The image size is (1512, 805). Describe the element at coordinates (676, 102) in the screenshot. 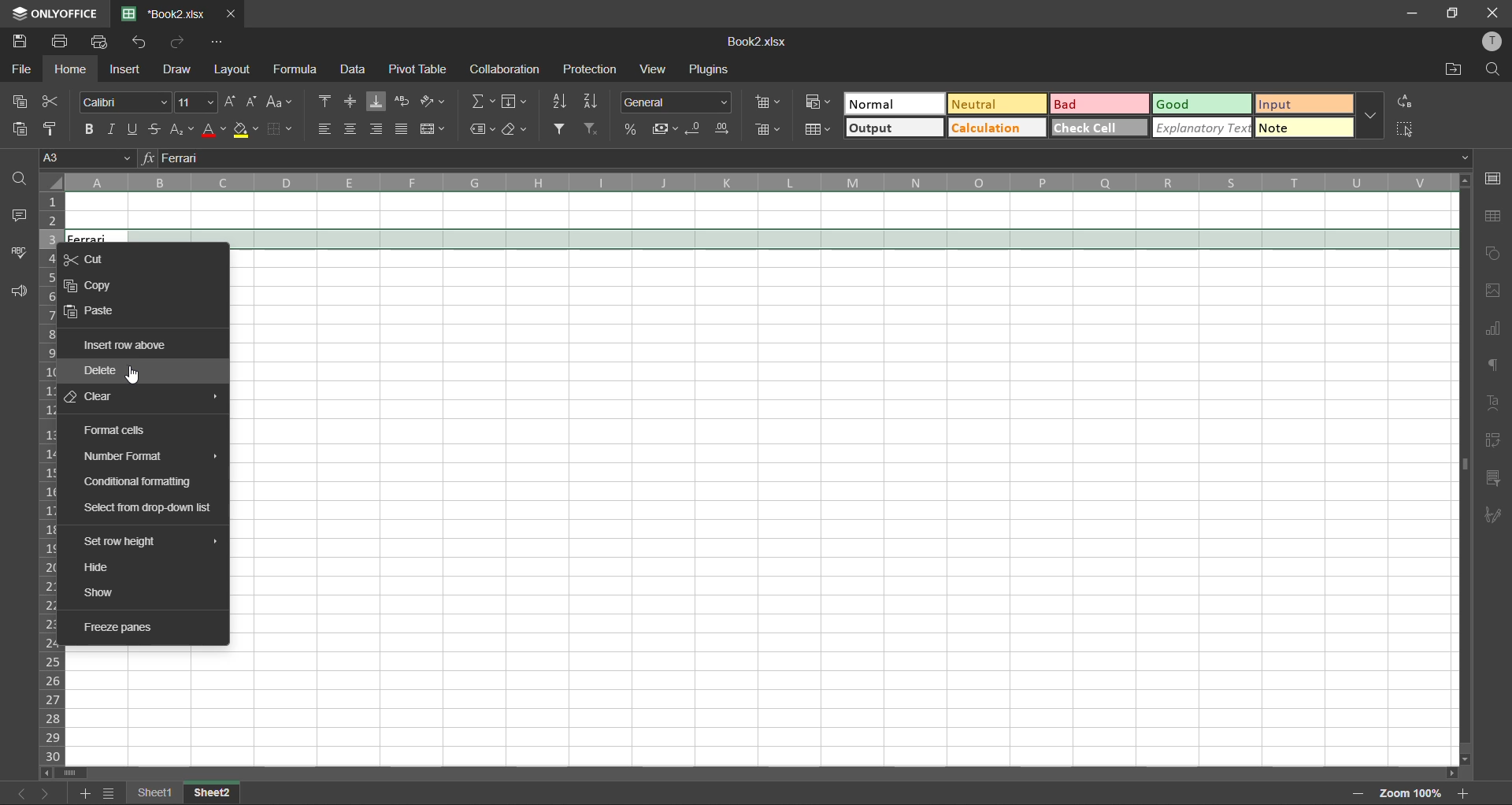

I see `number format` at that location.